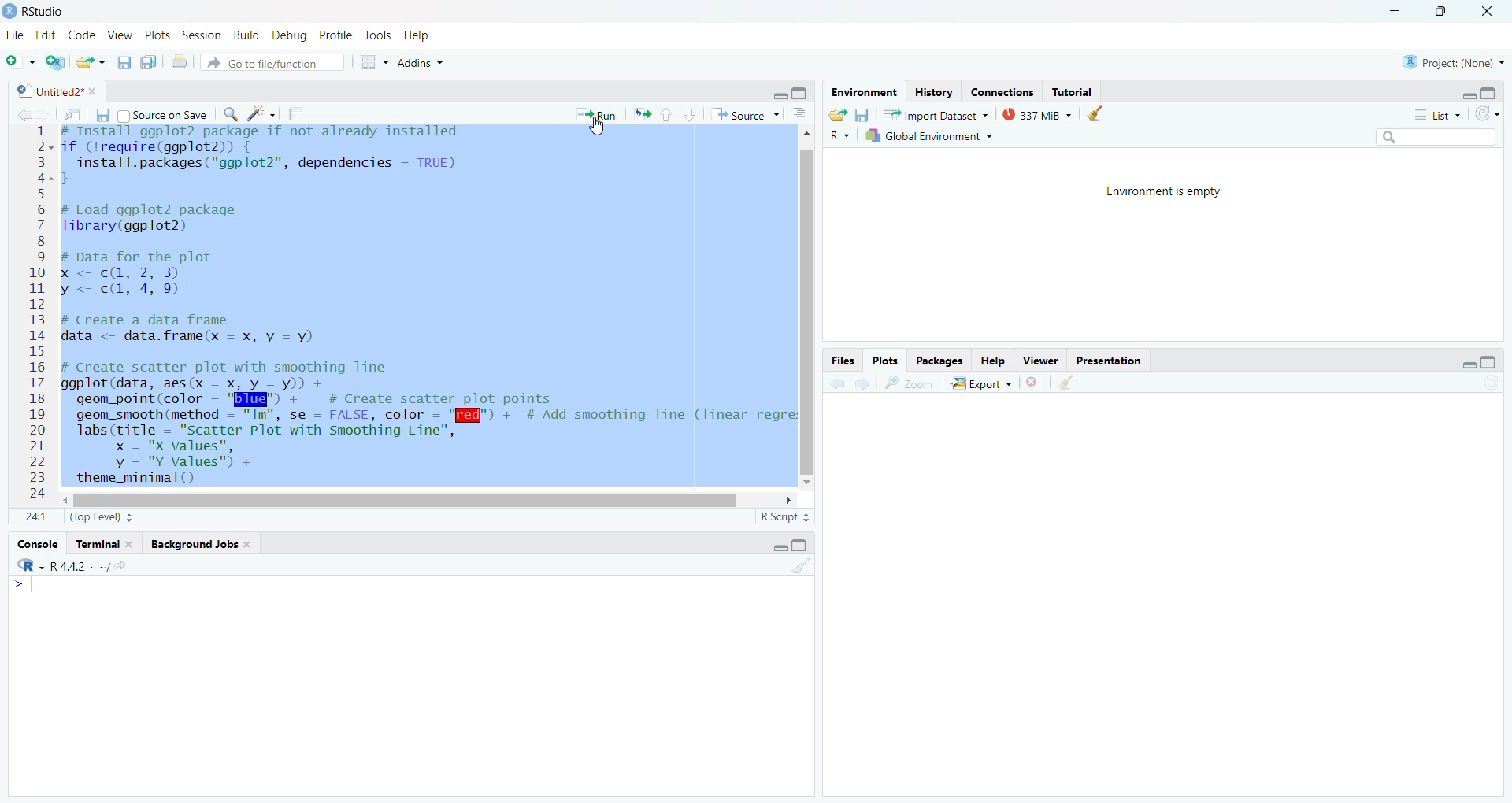 The width and height of the screenshot is (1512, 803). Describe the element at coordinates (837, 383) in the screenshot. I see `go back` at that location.